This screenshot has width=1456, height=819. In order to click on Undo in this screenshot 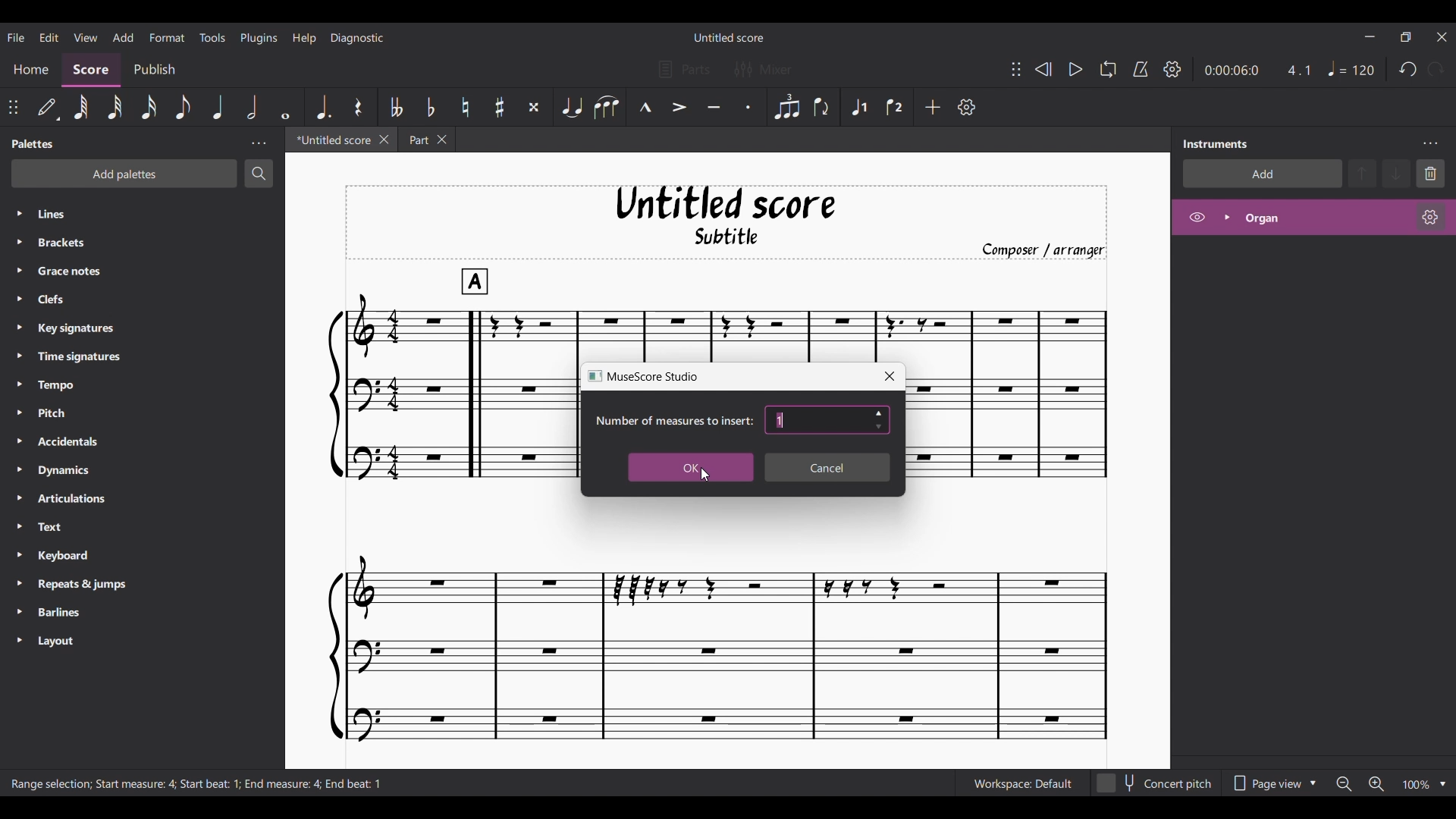, I will do `click(1407, 70)`.